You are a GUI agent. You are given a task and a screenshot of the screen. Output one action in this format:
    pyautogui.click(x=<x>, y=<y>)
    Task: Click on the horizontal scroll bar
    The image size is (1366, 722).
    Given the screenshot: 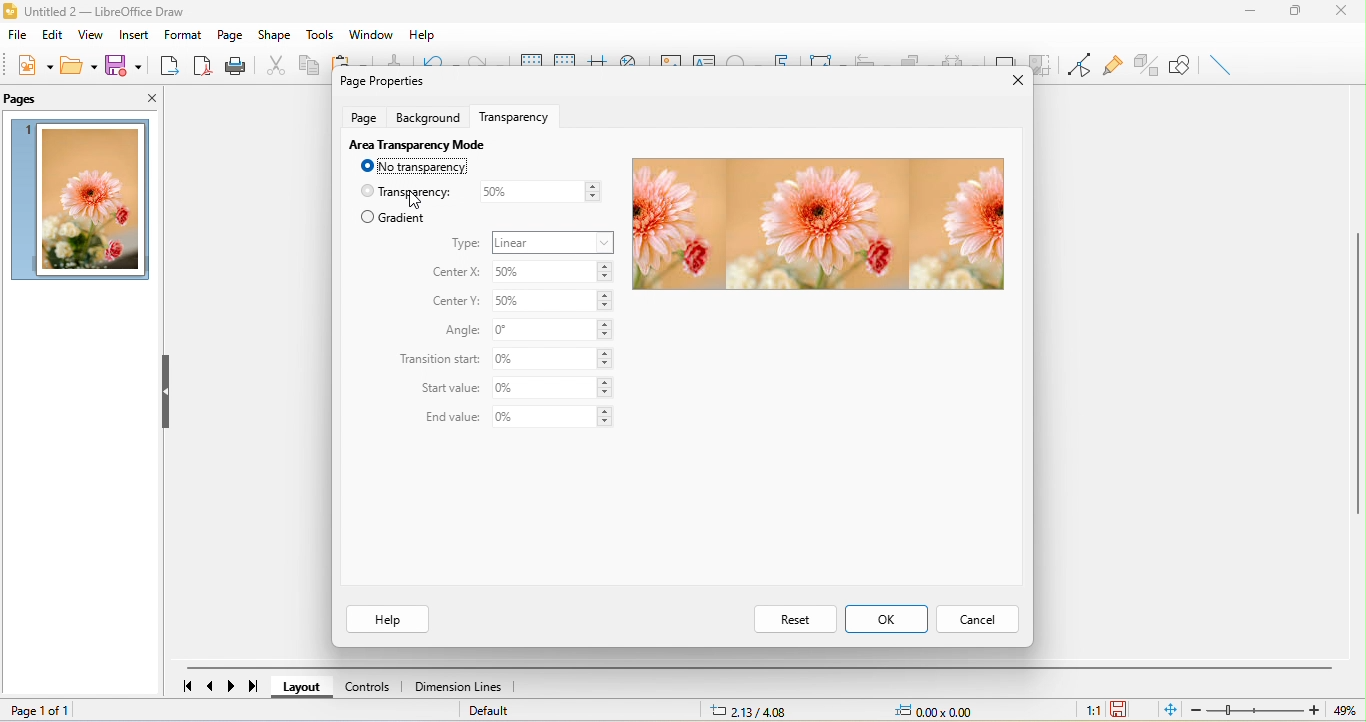 What is the action you would take?
    pyautogui.click(x=759, y=668)
    